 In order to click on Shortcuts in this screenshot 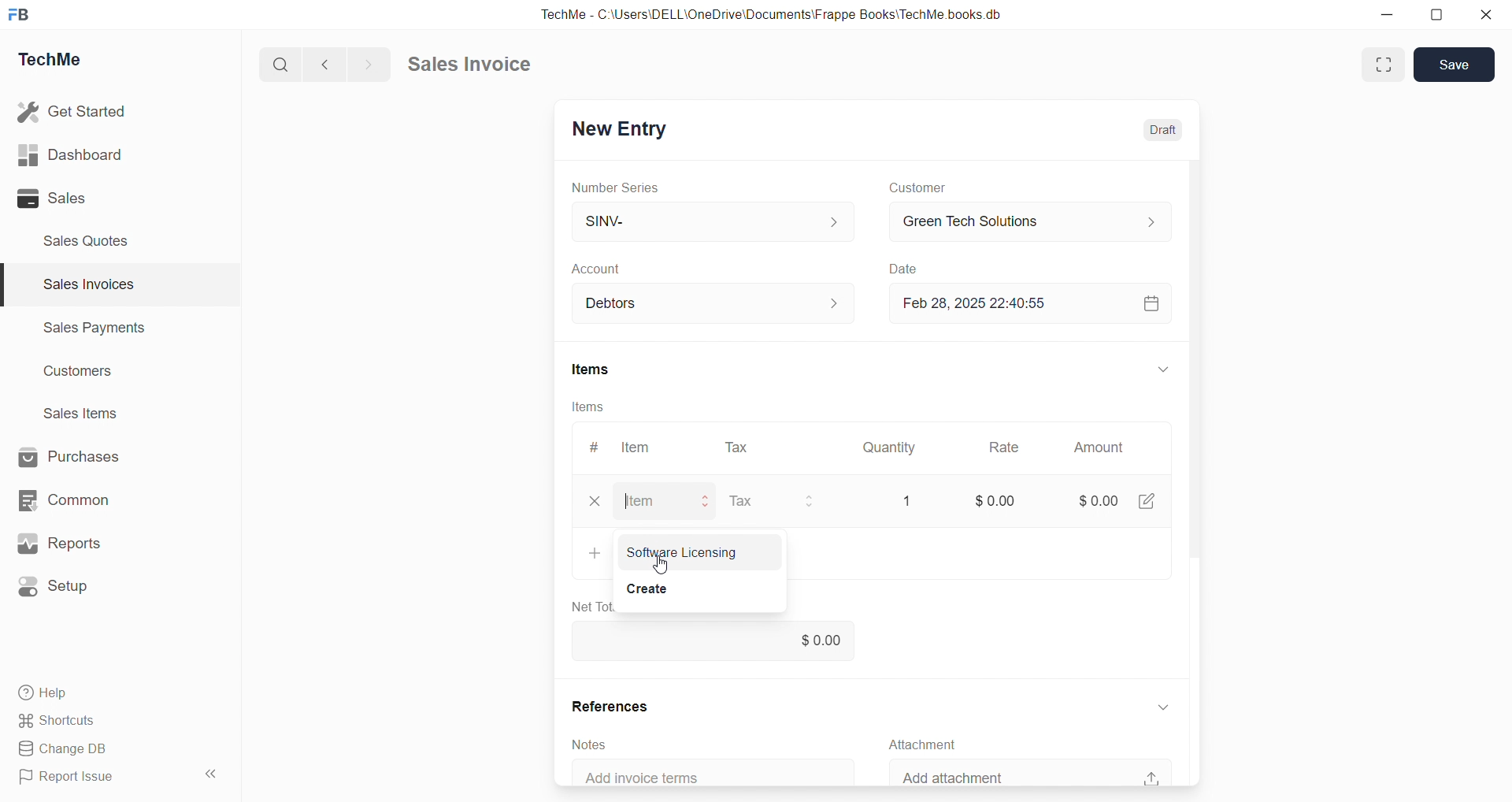, I will do `click(59, 721)`.